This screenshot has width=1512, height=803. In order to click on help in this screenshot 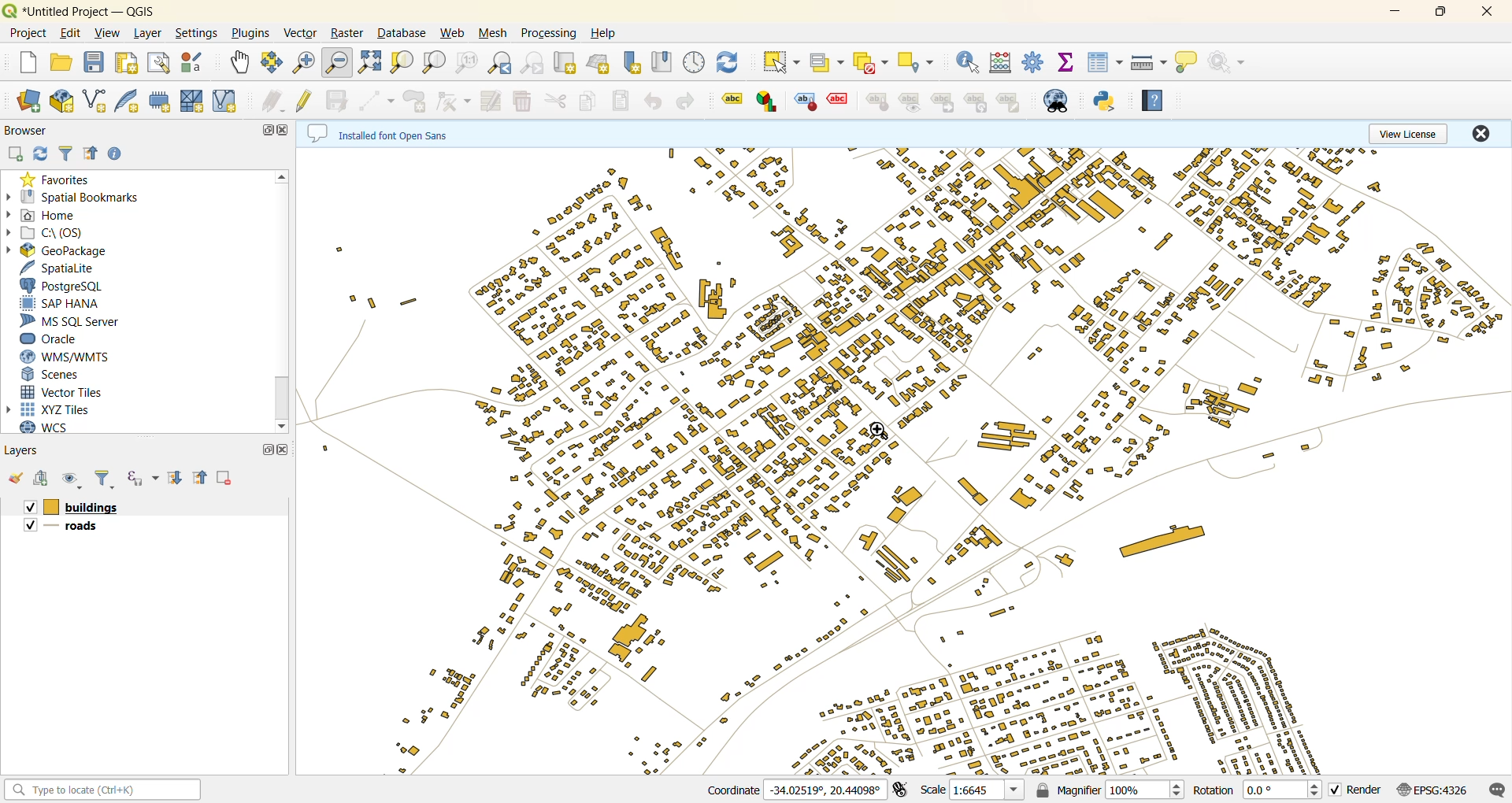, I will do `click(602, 33)`.